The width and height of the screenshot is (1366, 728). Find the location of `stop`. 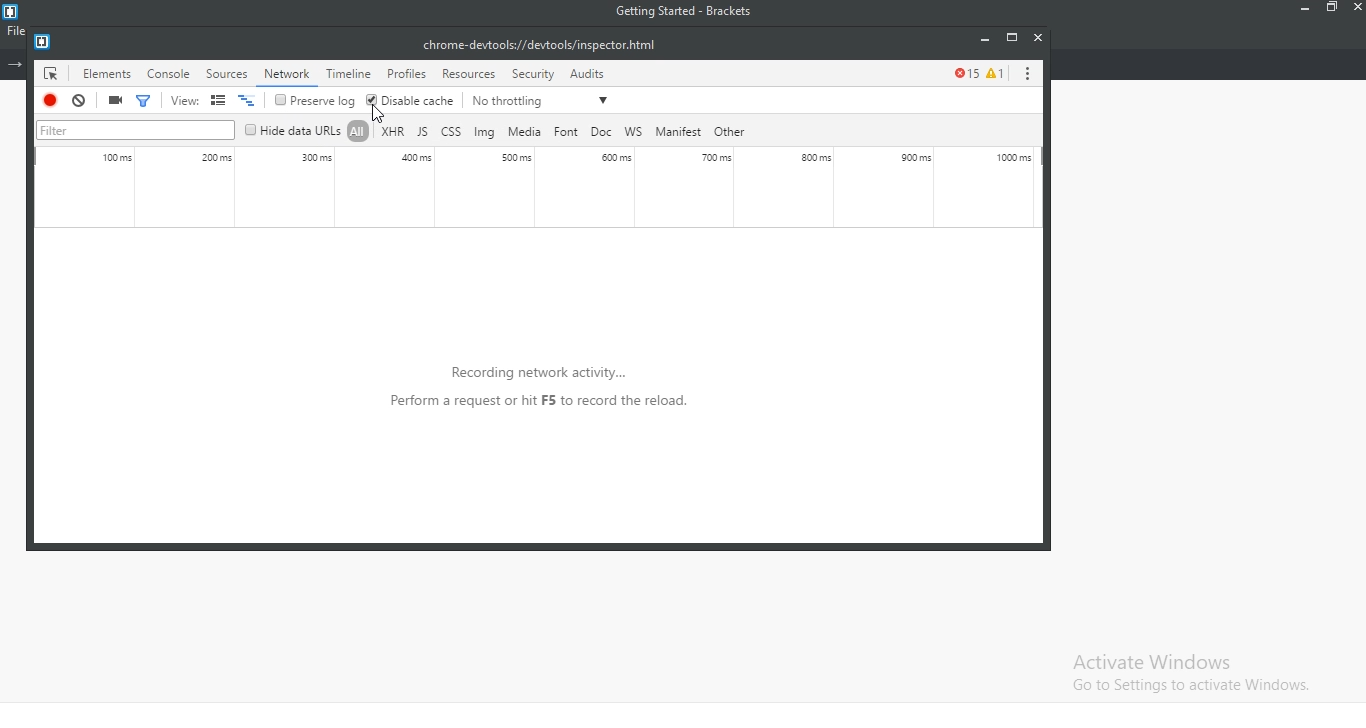

stop is located at coordinates (53, 100).